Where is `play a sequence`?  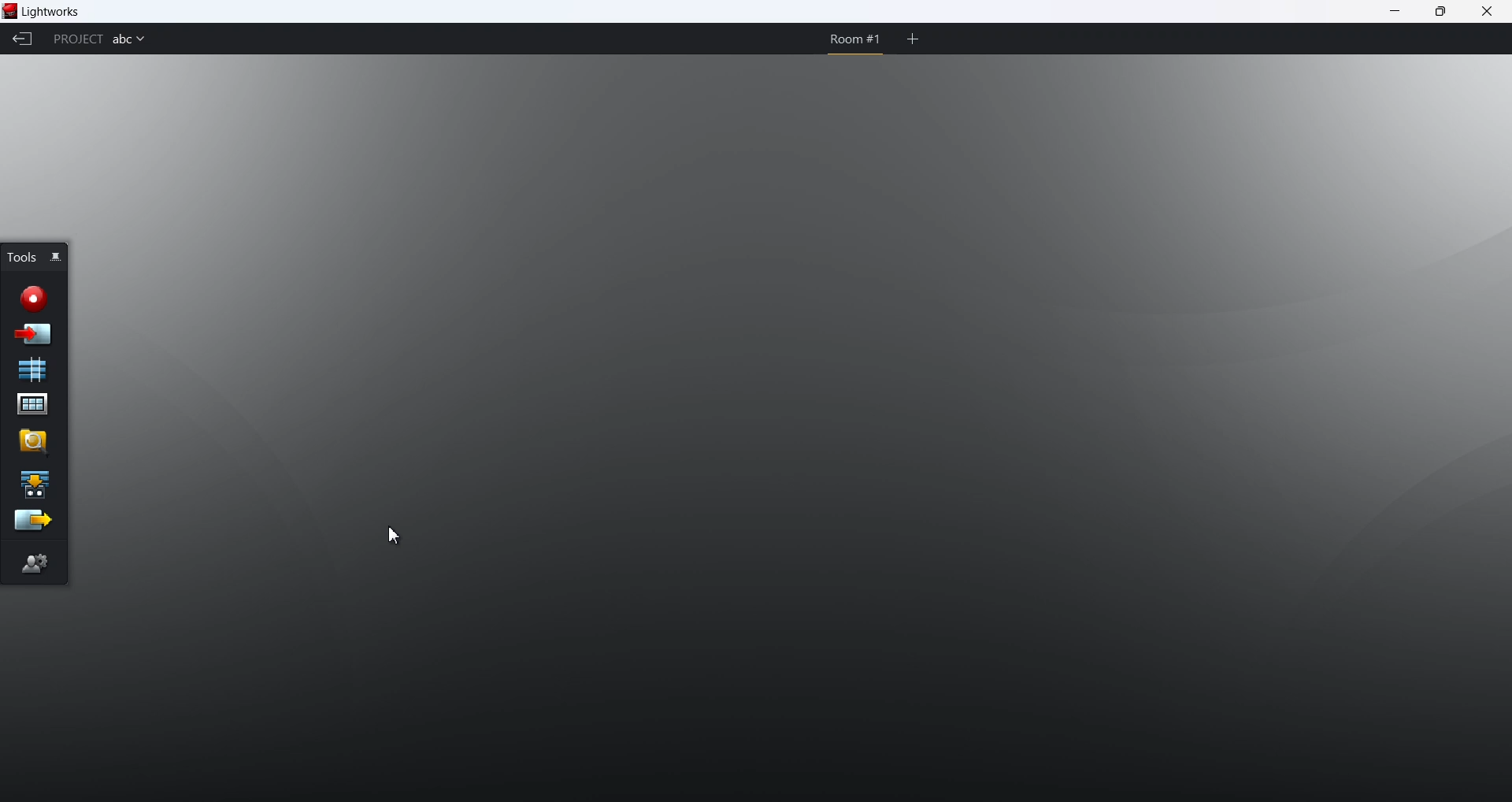
play a sequence is located at coordinates (34, 483).